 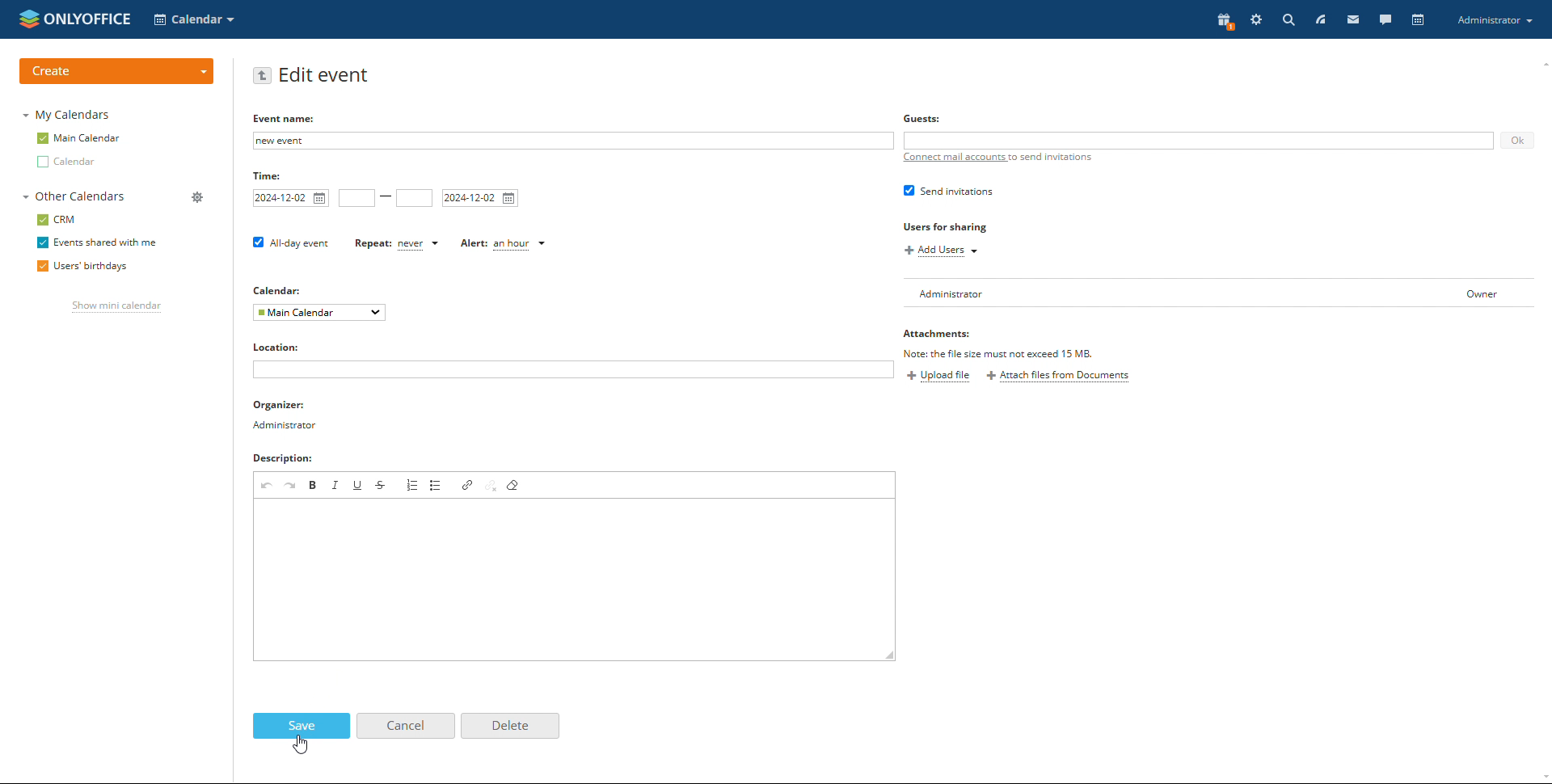 What do you see at coordinates (194, 20) in the screenshot?
I see `select application` at bounding box center [194, 20].